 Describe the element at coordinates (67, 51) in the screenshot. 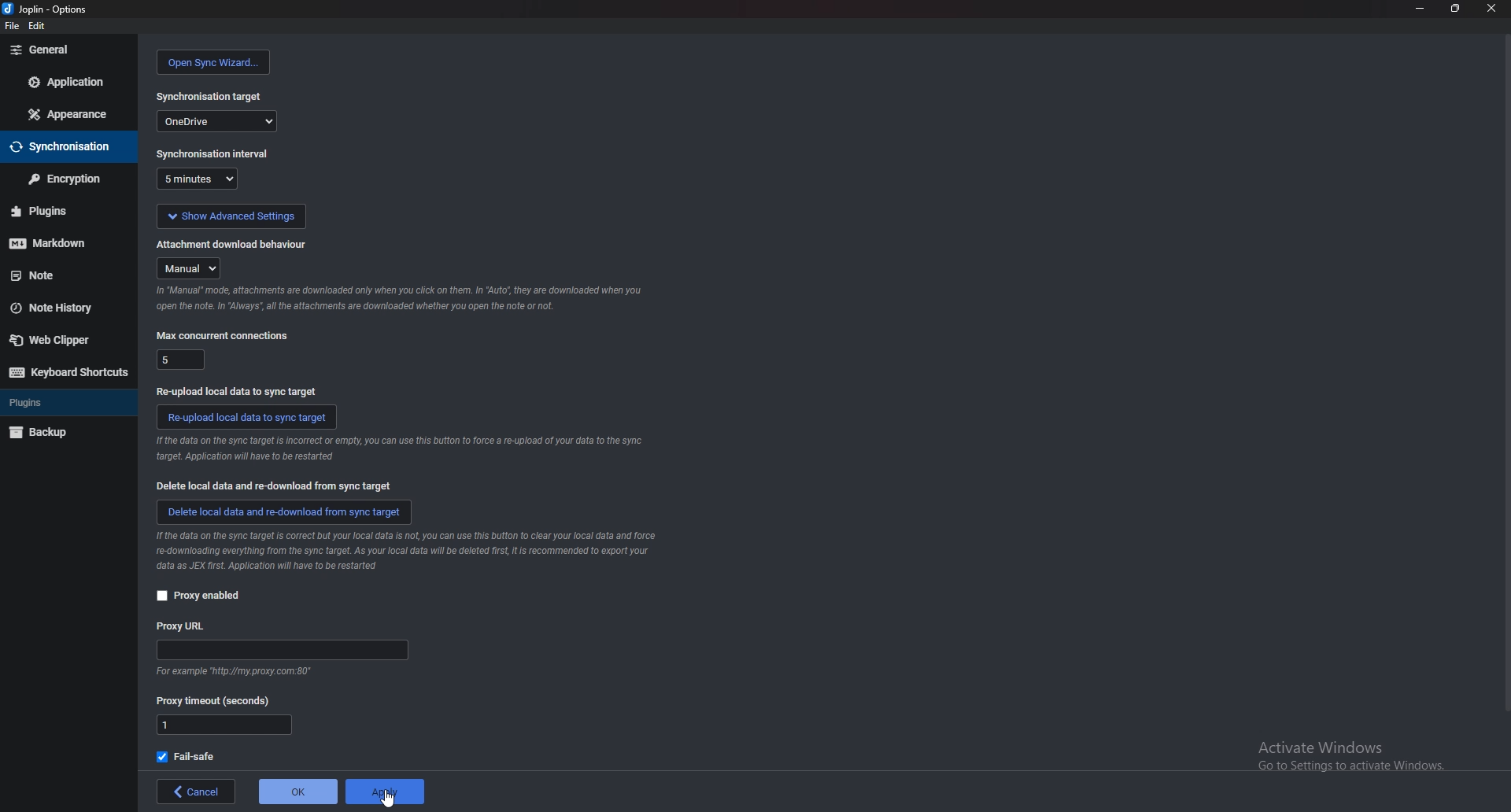

I see `general` at that location.